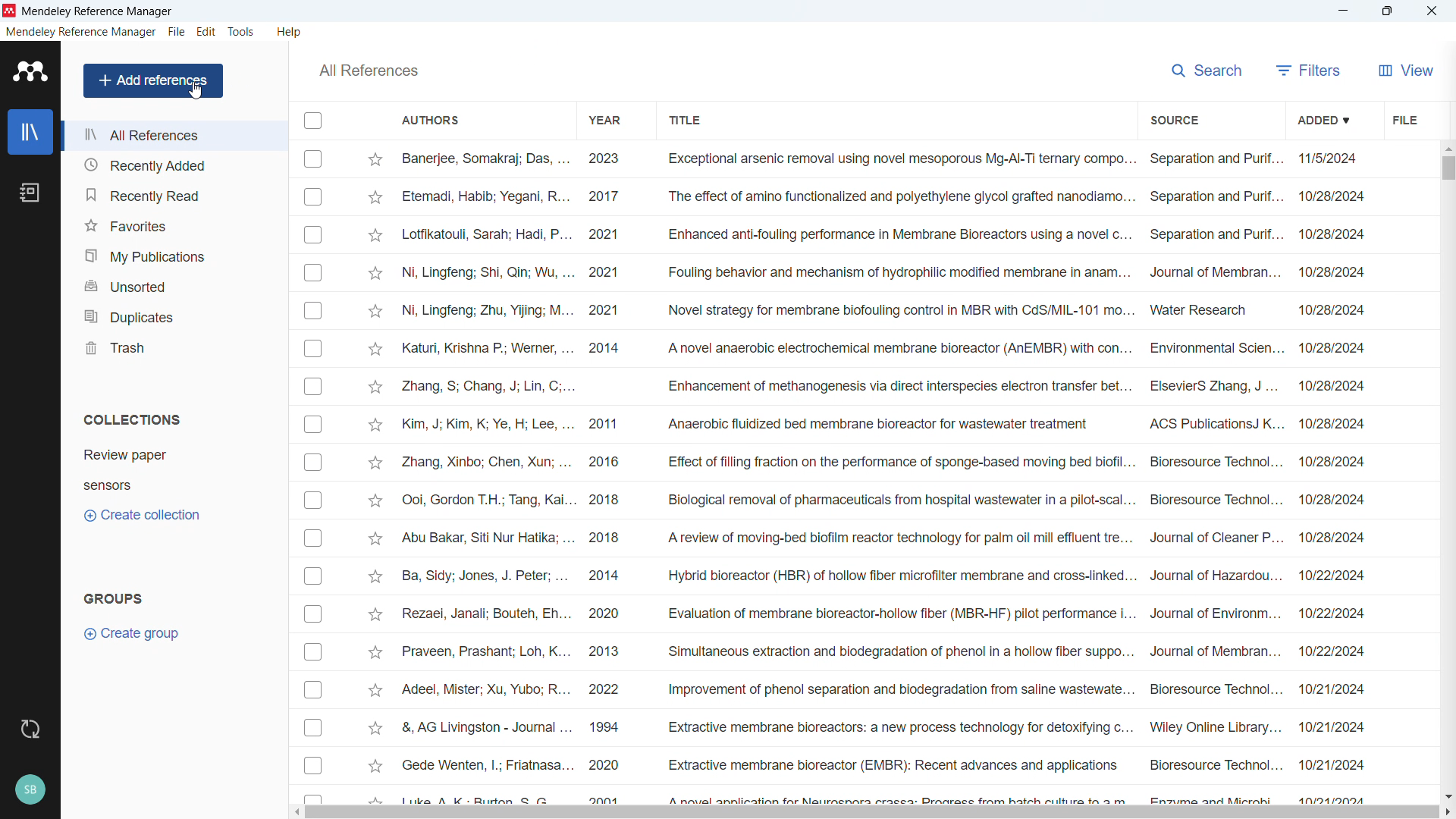 Image resolution: width=1456 pixels, height=819 pixels. What do you see at coordinates (604, 475) in the screenshot?
I see `Year of publication of individual entries ` at bounding box center [604, 475].